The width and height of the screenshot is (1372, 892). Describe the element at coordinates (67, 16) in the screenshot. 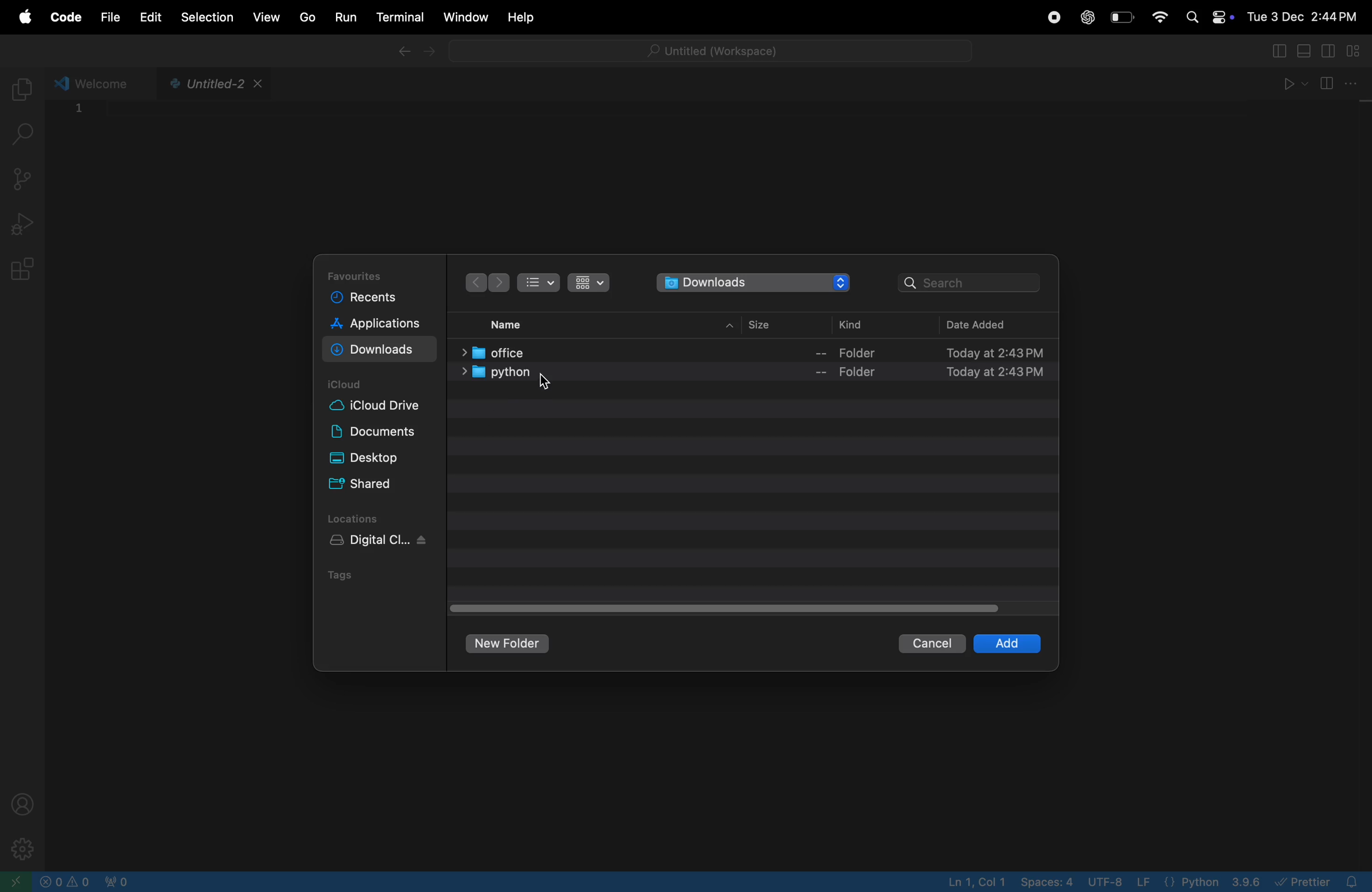

I see `code` at that location.